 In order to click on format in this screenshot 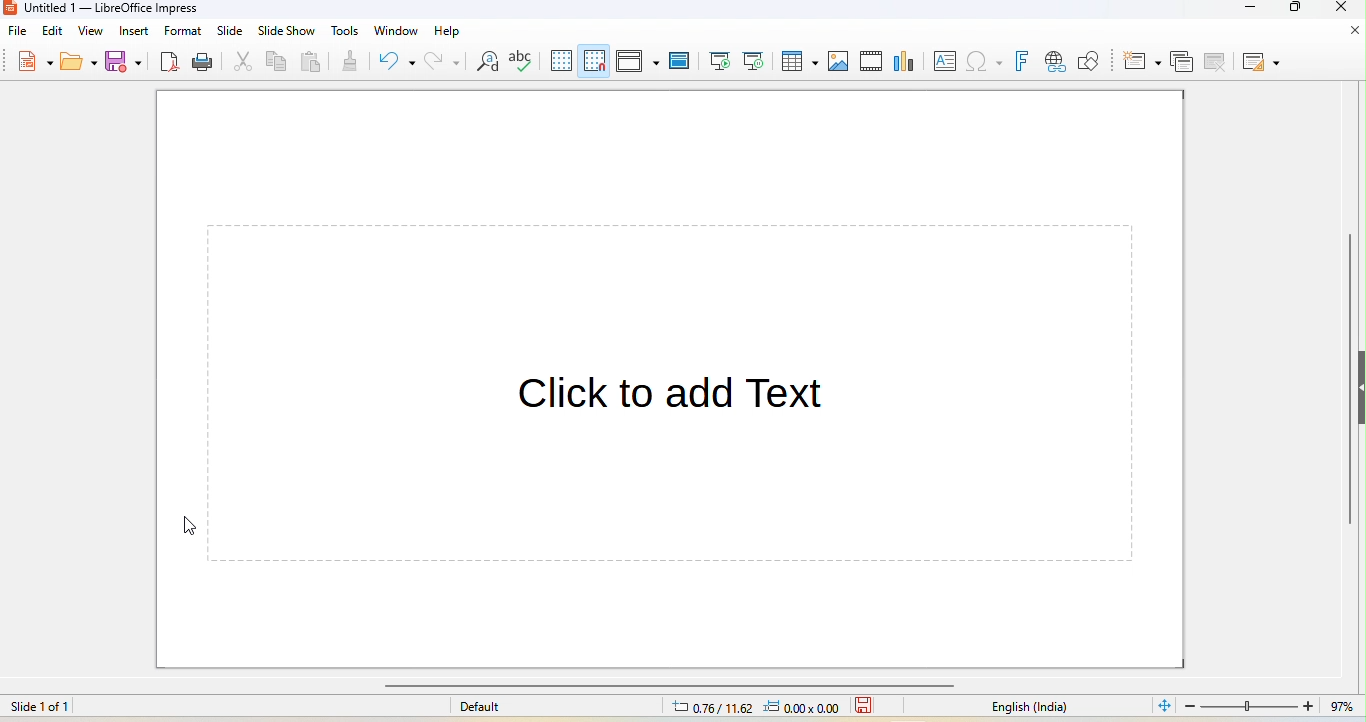, I will do `click(184, 31)`.